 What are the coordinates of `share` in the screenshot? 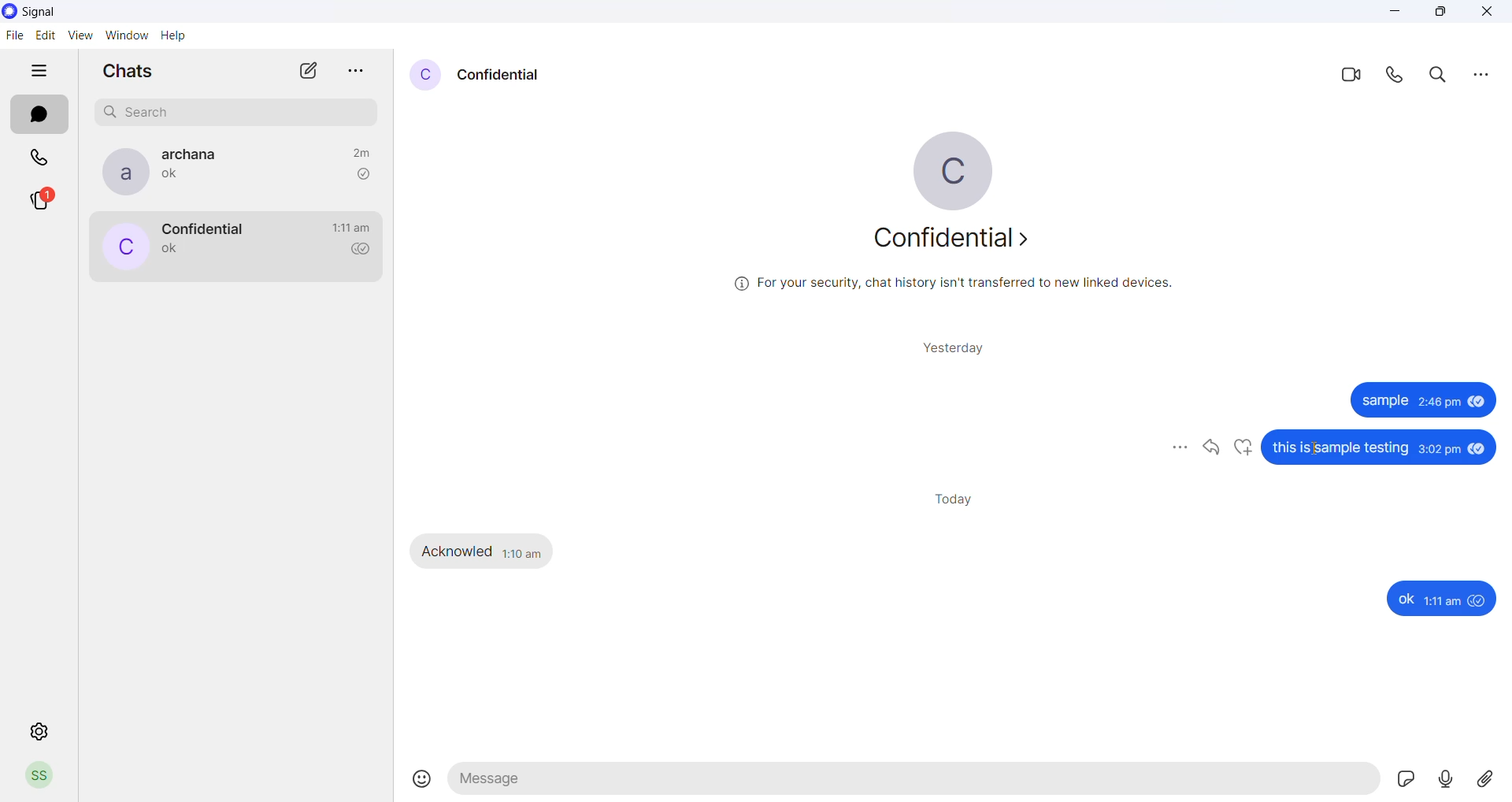 It's located at (1207, 450).